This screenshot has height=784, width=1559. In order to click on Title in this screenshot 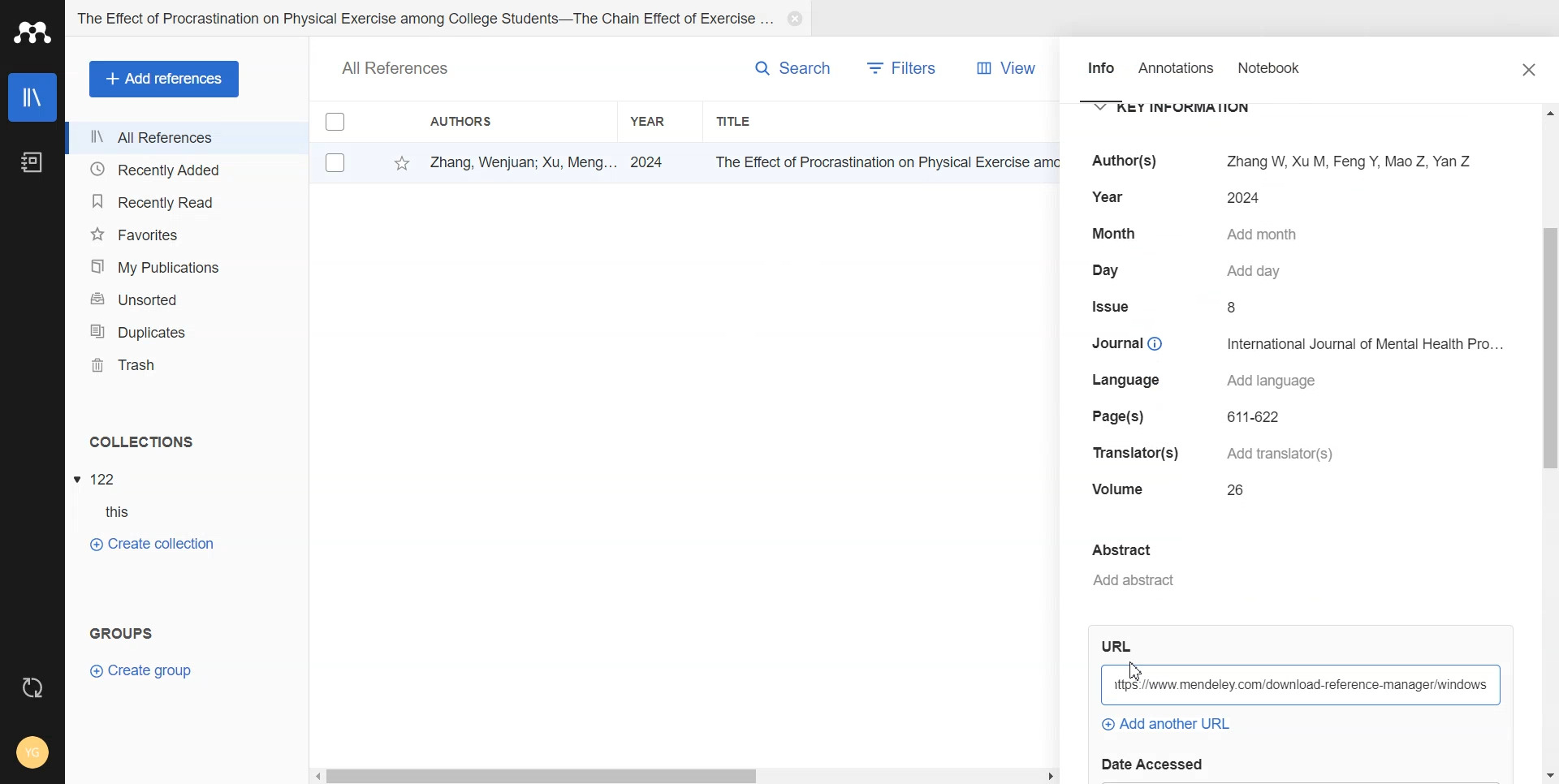, I will do `click(785, 121)`.